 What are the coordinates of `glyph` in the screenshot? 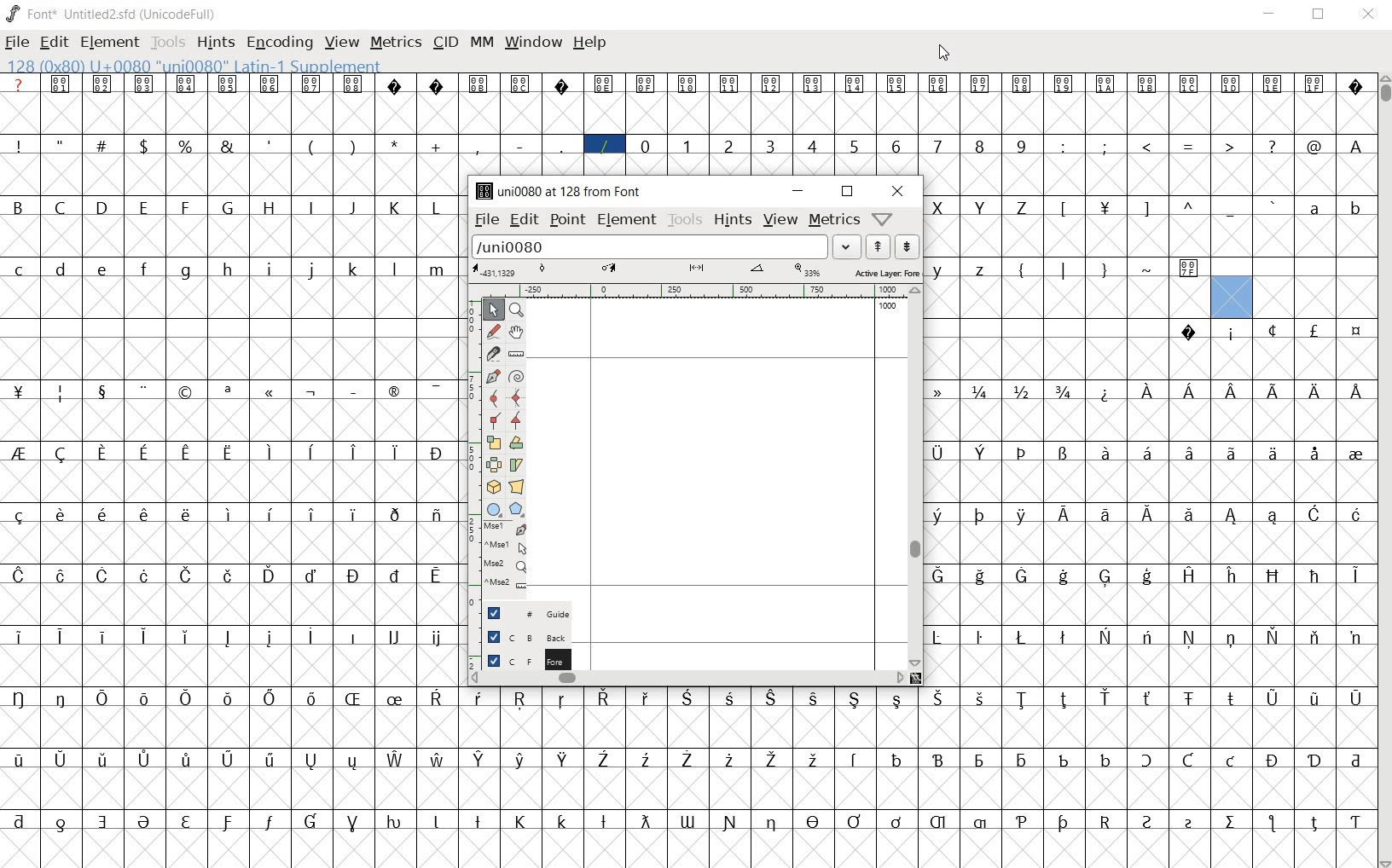 It's located at (1357, 391).